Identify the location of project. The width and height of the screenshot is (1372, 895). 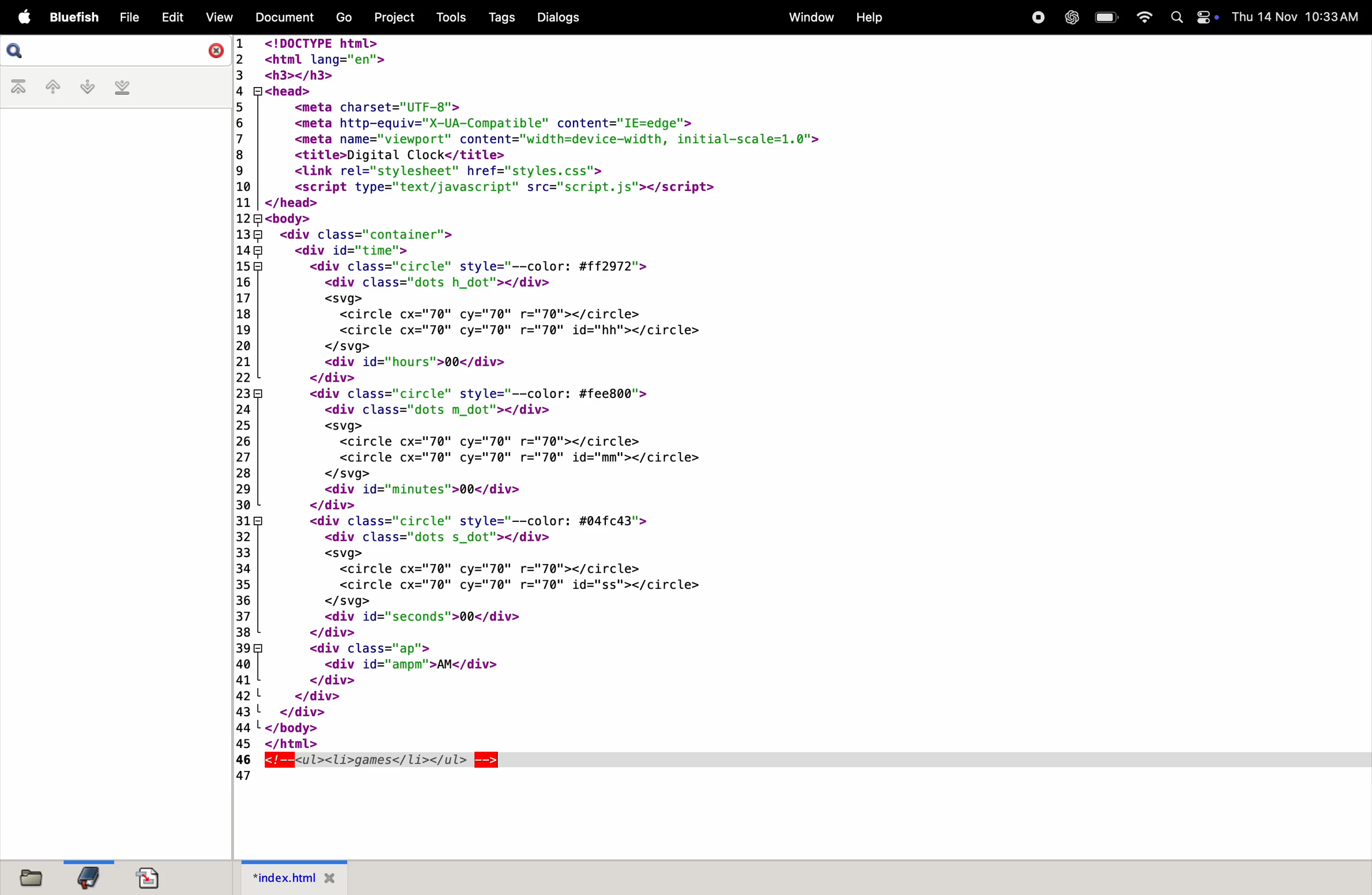
(393, 18).